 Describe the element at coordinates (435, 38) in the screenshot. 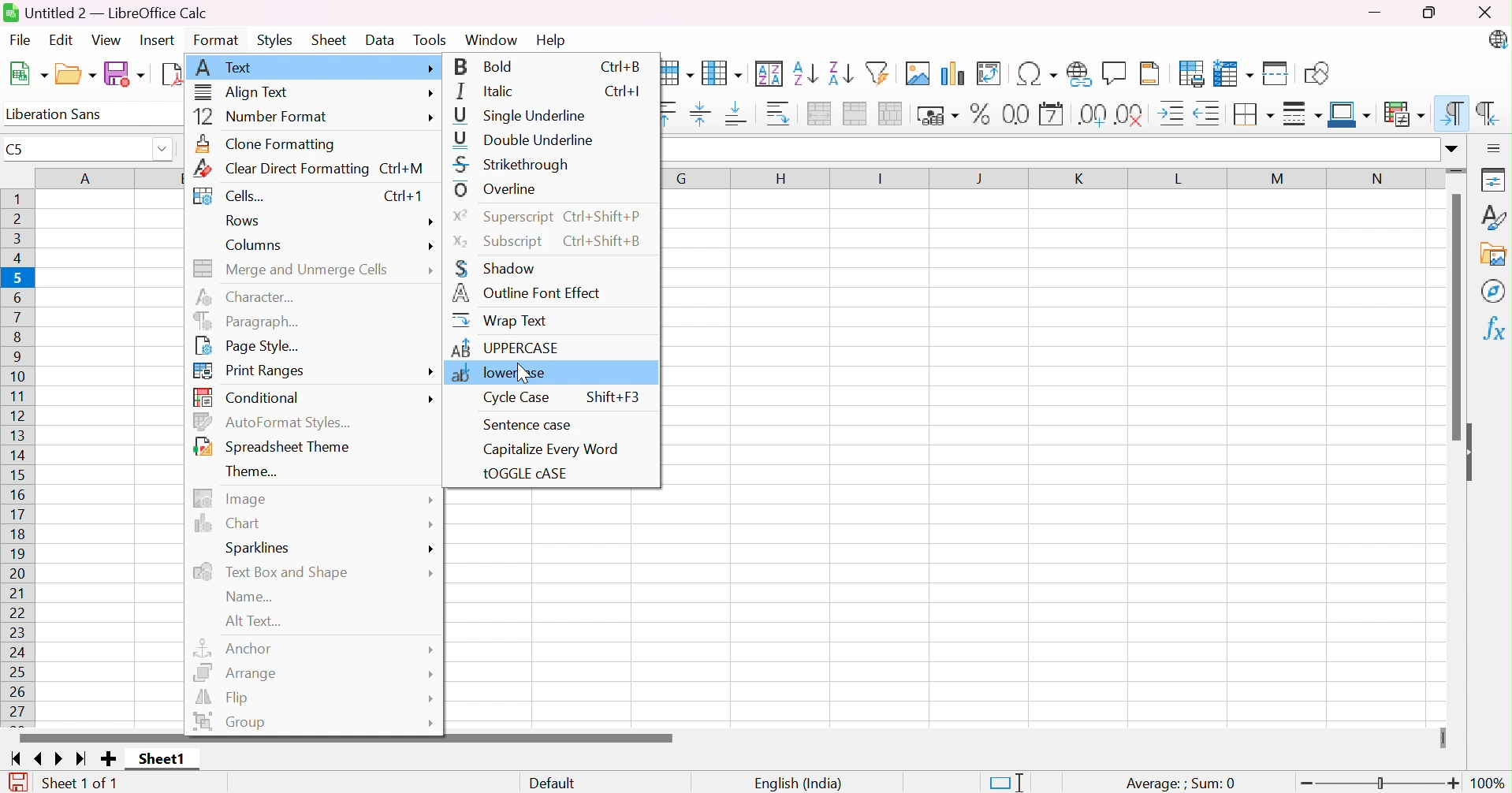

I see `Tools` at that location.